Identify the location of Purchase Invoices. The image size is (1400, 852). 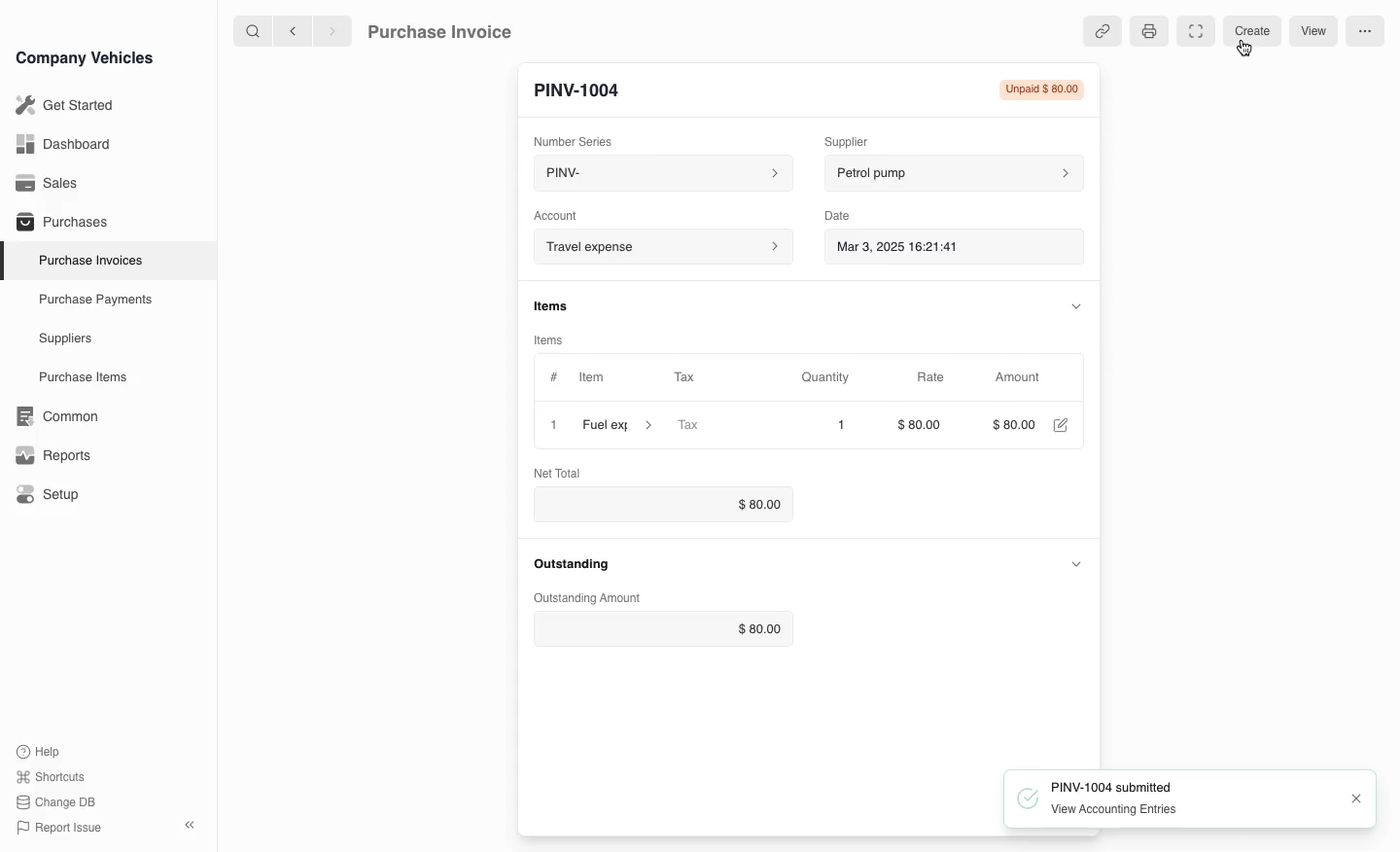
(87, 260).